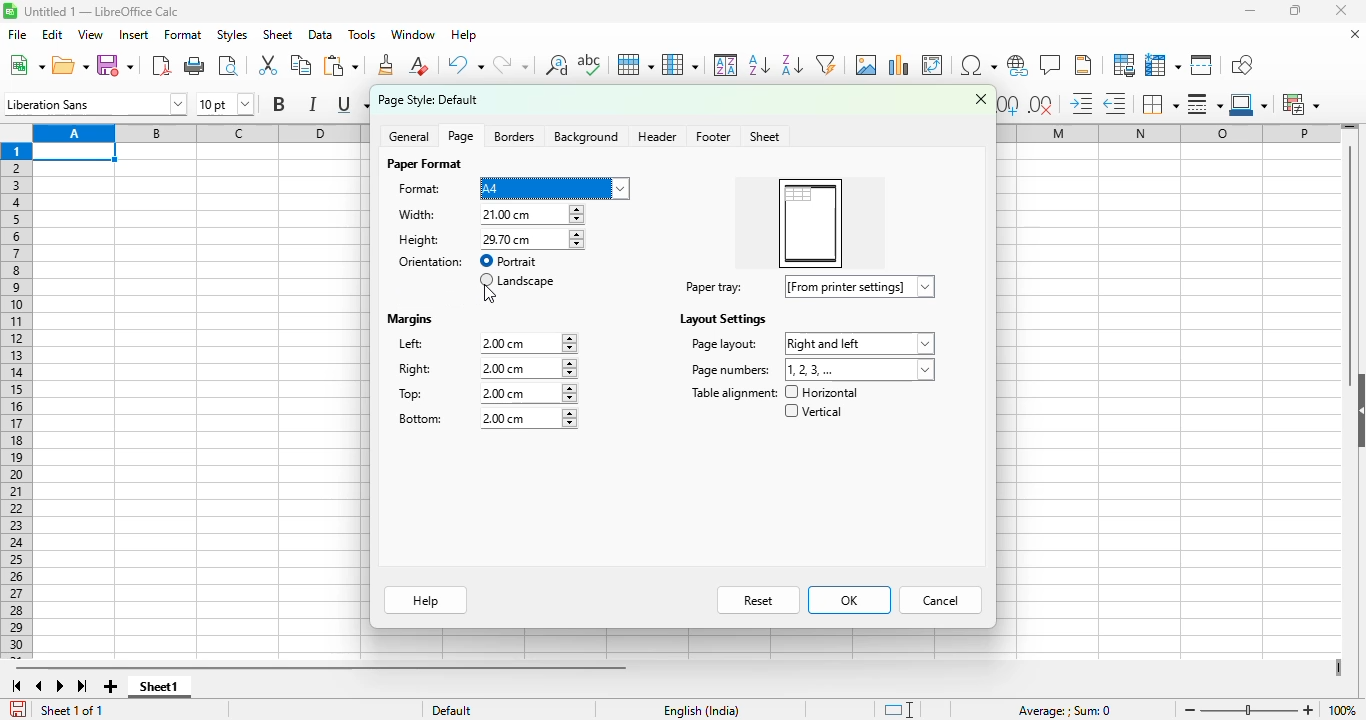 Image resolution: width=1366 pixels, height=720 pixels. I want to click on page style default, so click(429, 100).